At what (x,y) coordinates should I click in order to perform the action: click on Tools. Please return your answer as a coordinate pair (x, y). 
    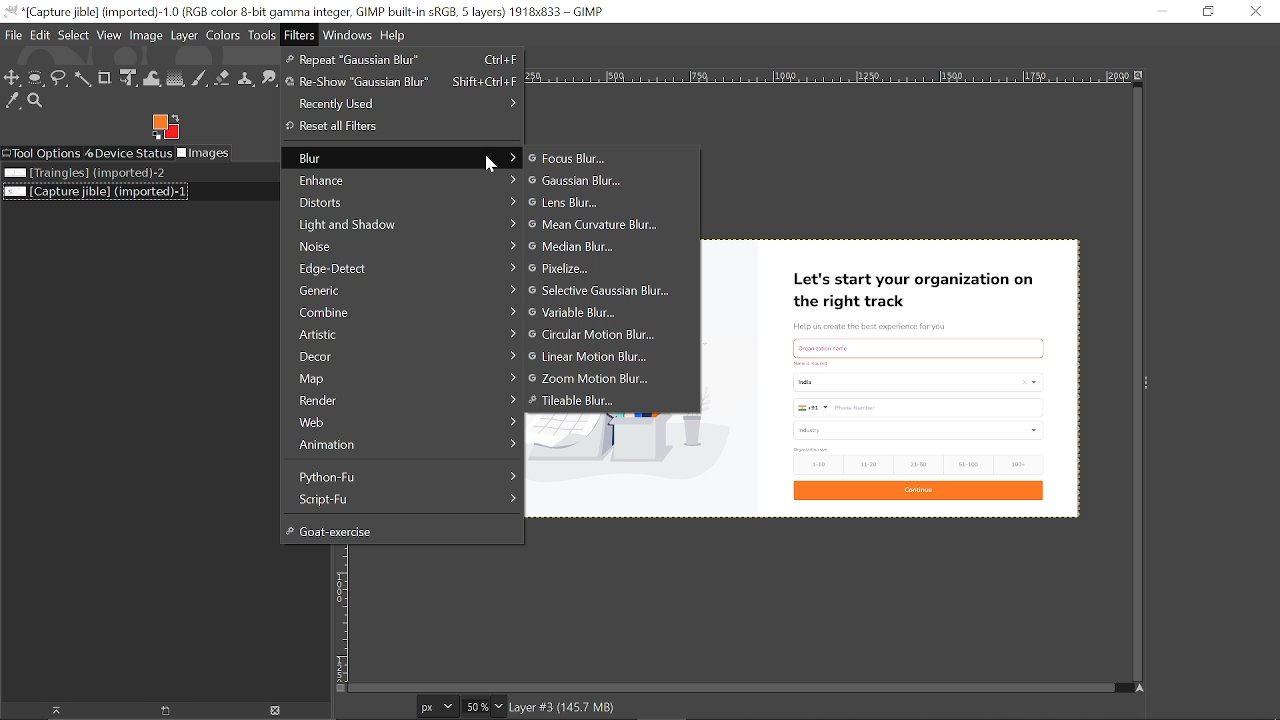
    Looking at the image, I should click on (264, 37).